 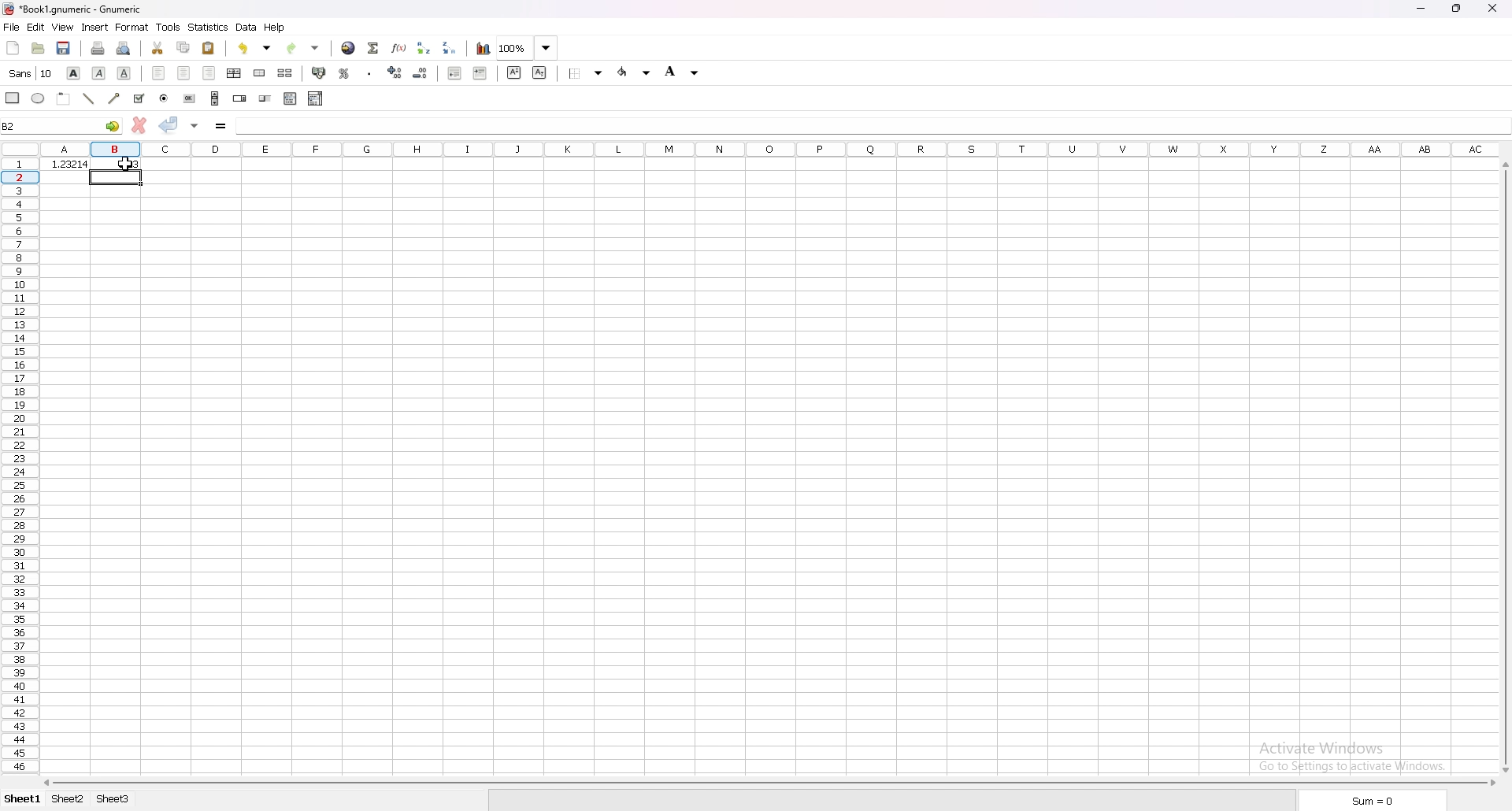 I want to click on foreground, so click(x=634, y=72).